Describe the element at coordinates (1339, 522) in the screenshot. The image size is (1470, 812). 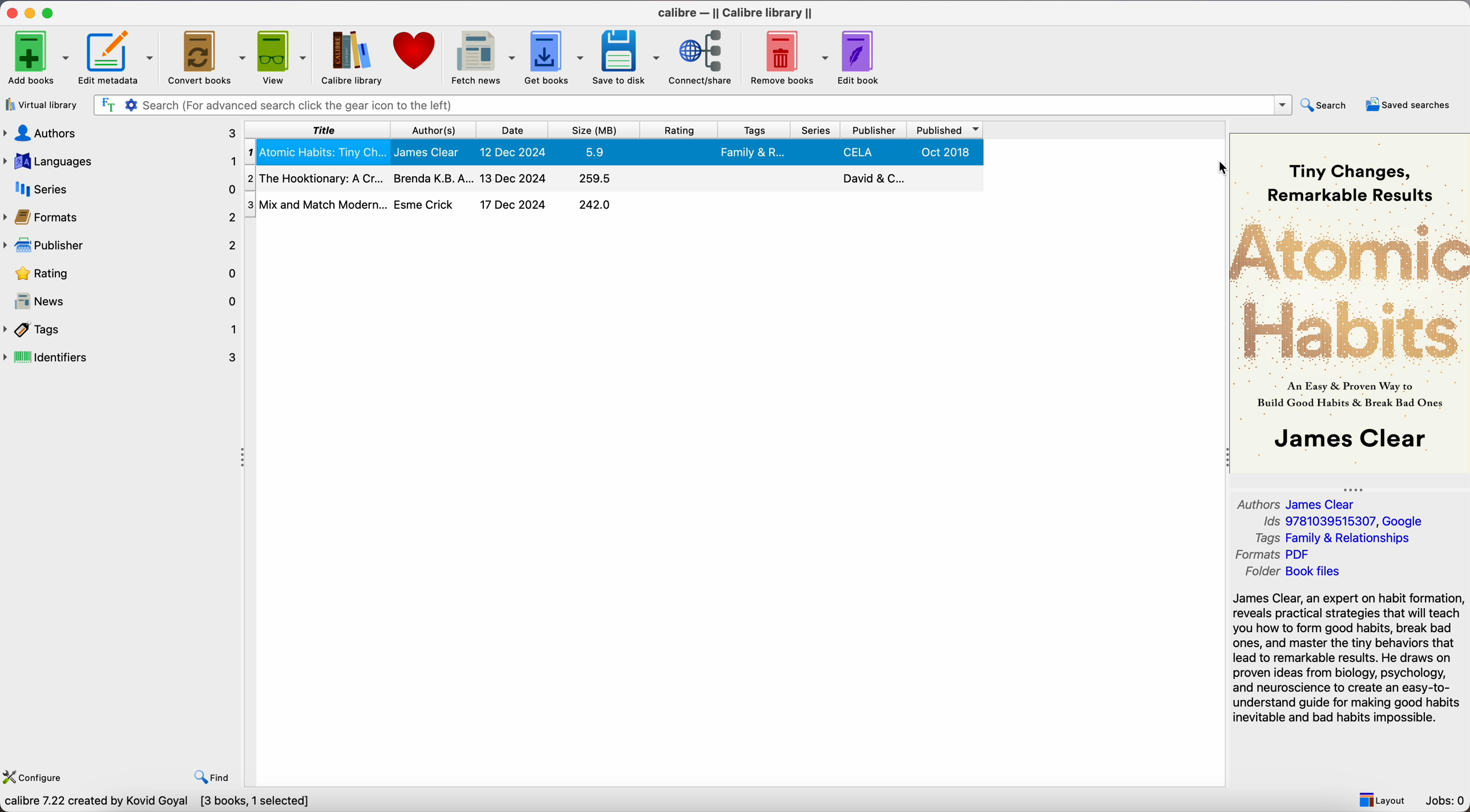
I see `Ids 9781039515307, Google` at that location.